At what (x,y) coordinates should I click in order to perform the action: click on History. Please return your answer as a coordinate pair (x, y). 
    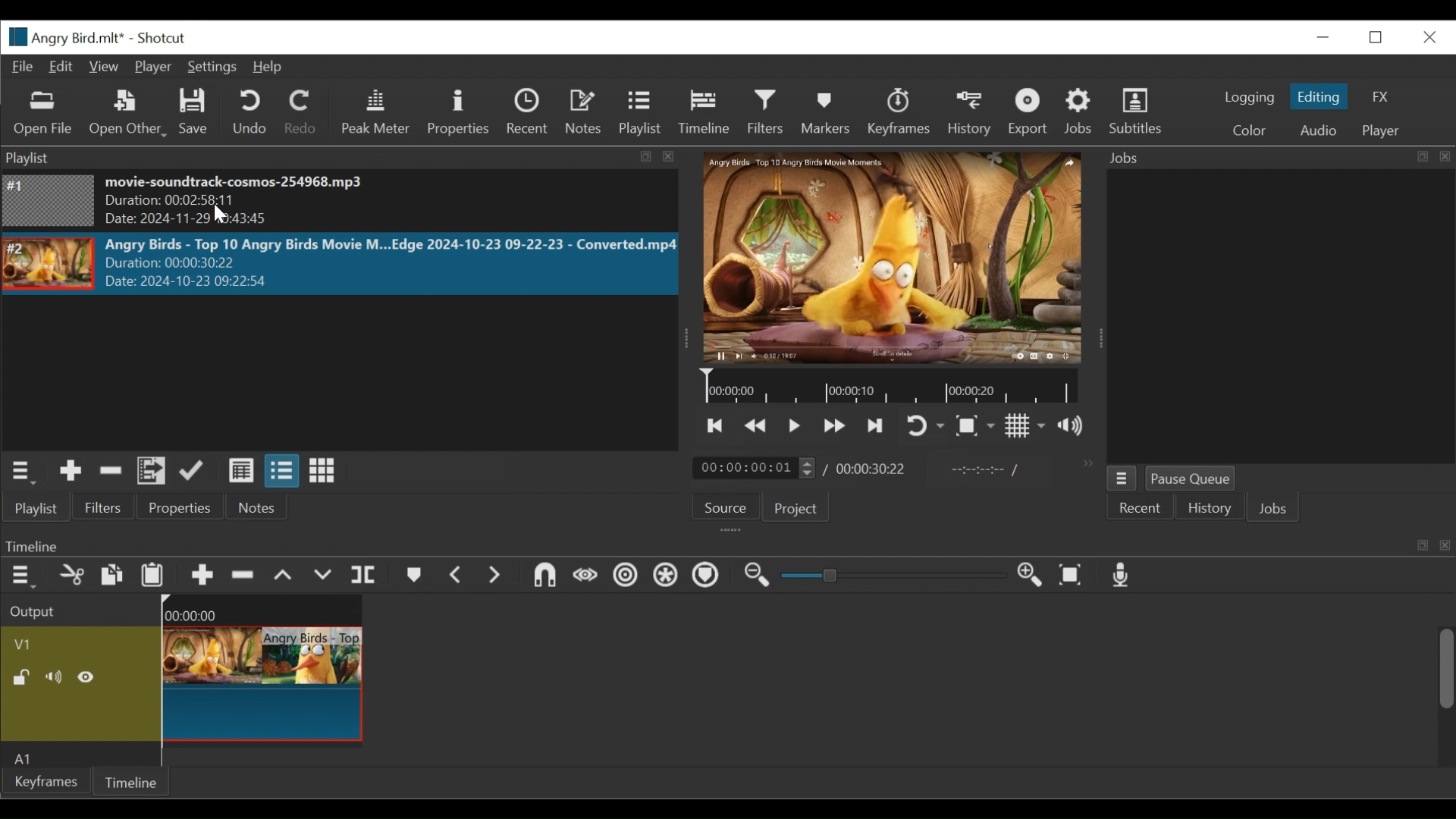
    Looking at the image, I should click on (1209, 508).